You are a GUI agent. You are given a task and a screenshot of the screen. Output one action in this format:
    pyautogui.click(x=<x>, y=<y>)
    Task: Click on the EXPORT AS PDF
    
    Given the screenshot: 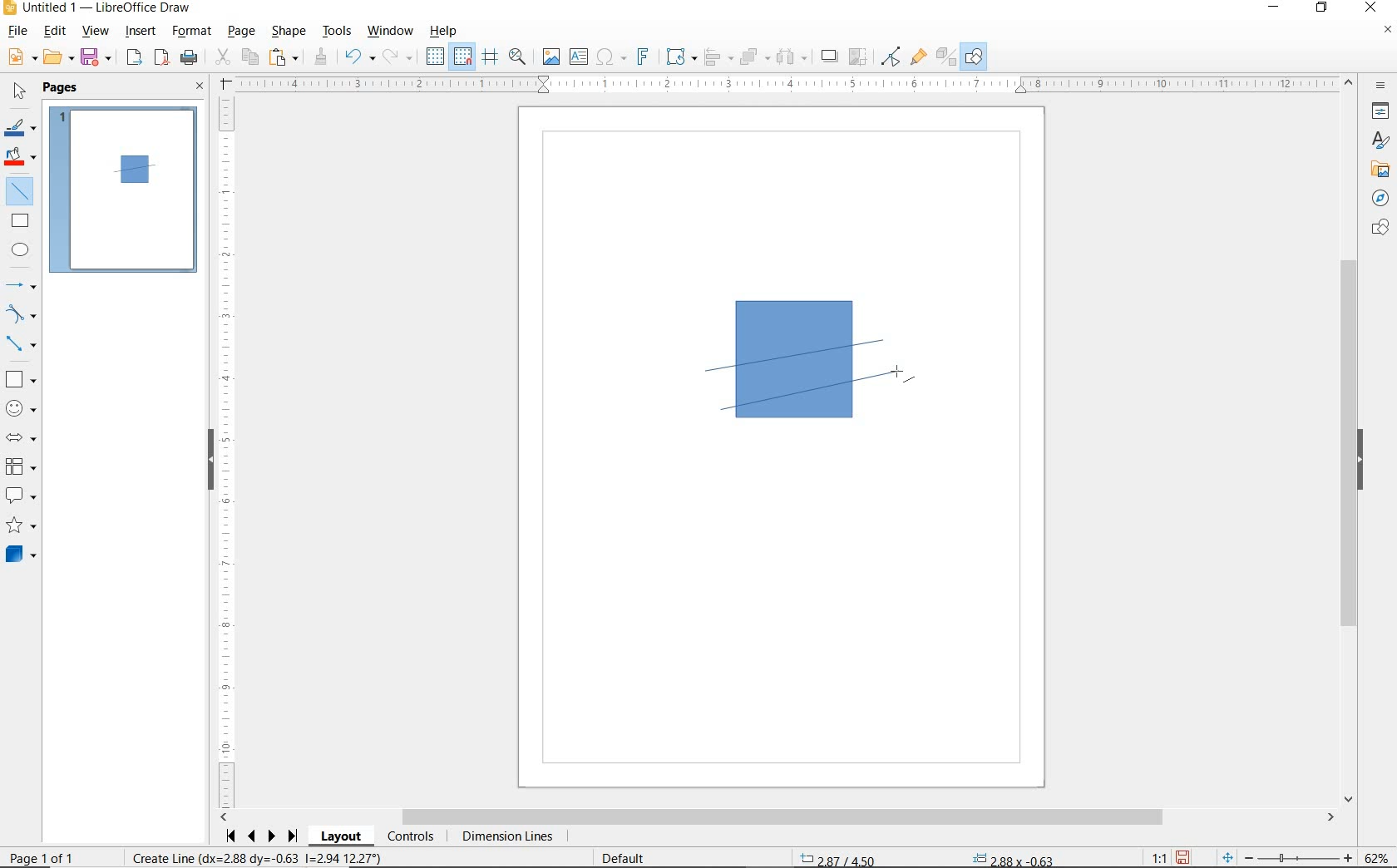 What is the action you would take?
    pyautogui.click(x=163, y=59)
    